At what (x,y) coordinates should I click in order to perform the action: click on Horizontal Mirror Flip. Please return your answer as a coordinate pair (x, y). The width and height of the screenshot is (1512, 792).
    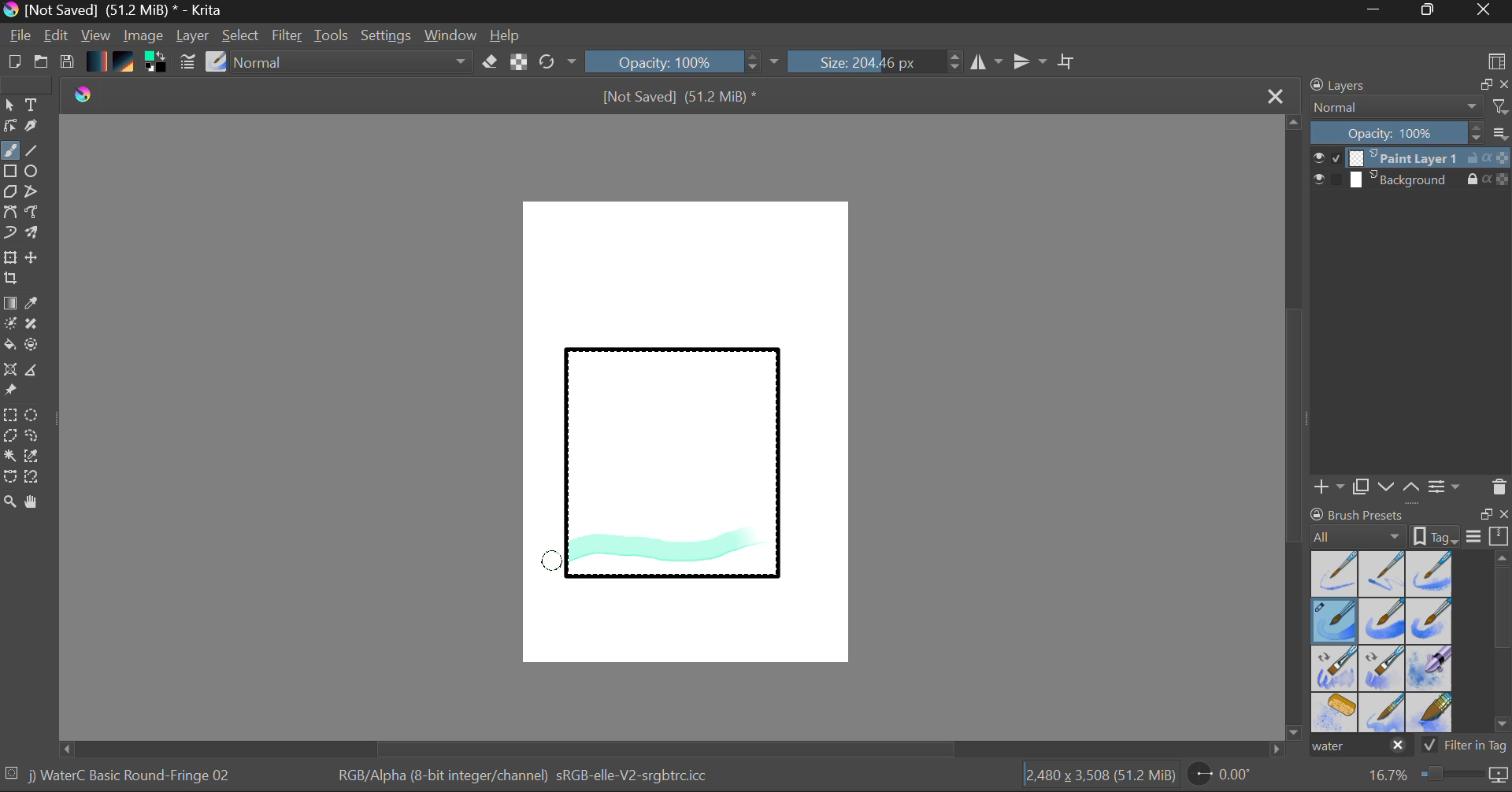
    Looking at the image, I should click on (1033, 63).